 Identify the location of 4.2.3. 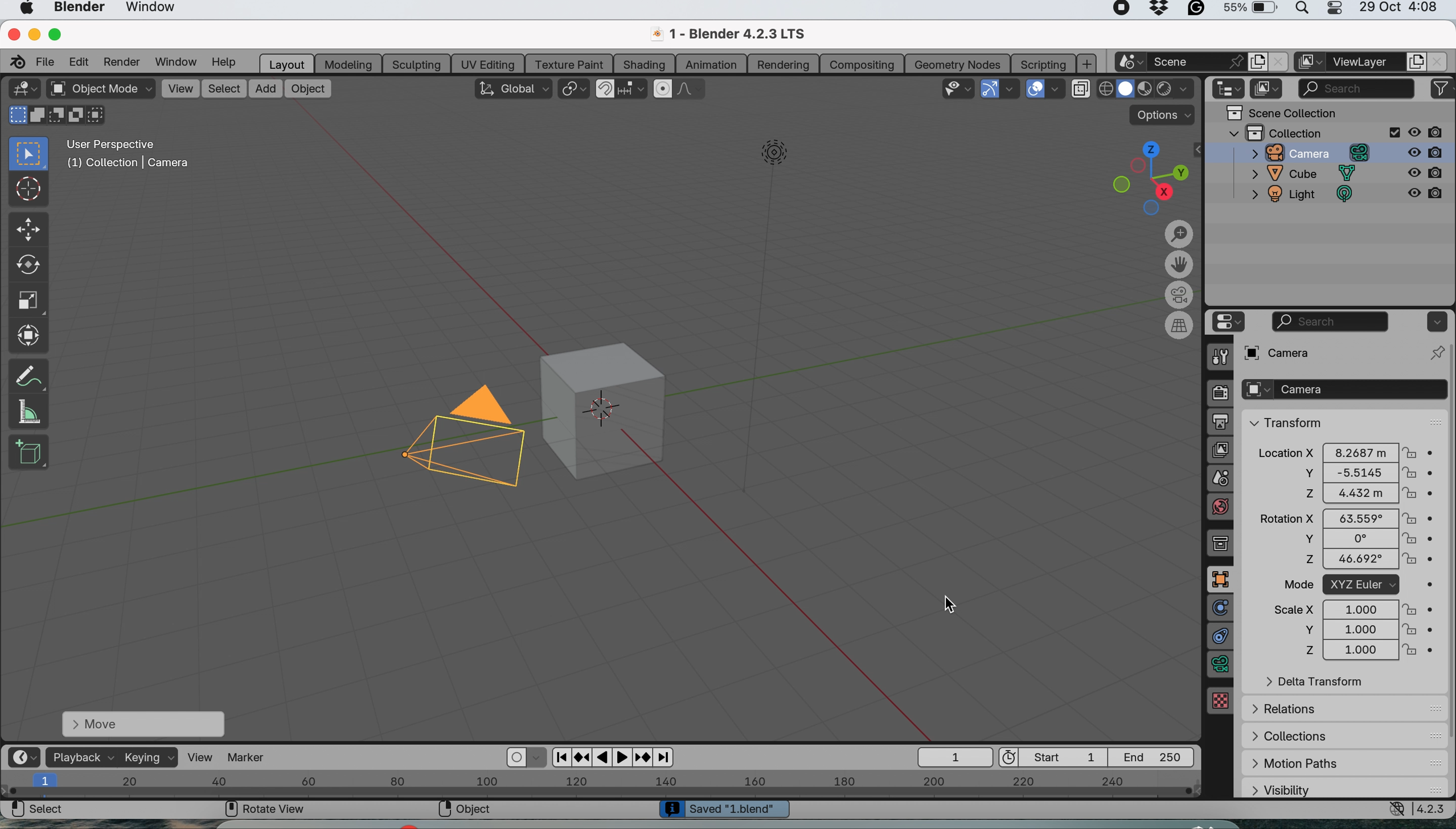
(1434, 807).